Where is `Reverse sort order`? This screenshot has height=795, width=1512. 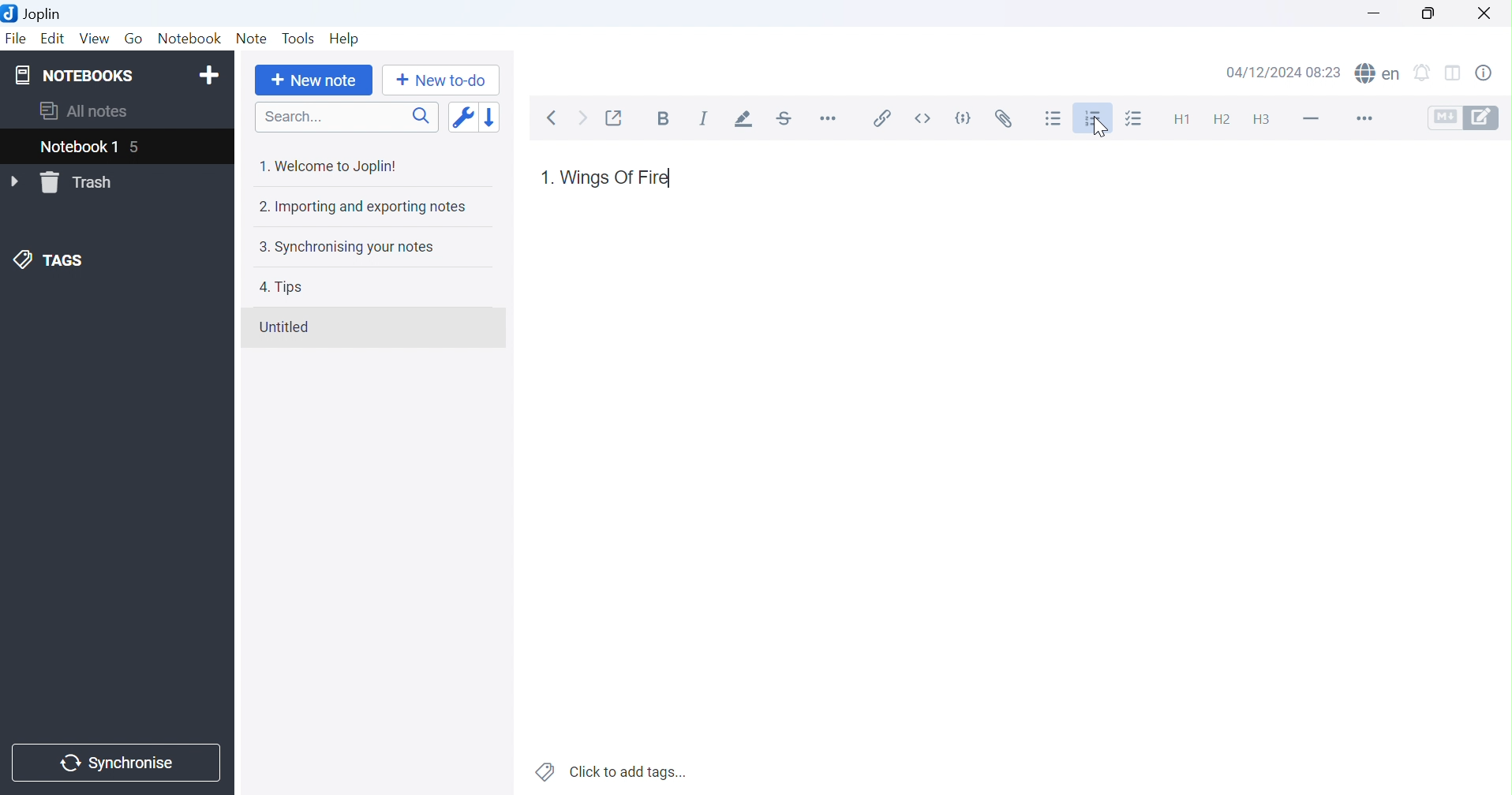
Reverse sort order is located at coordinates (489, 118).